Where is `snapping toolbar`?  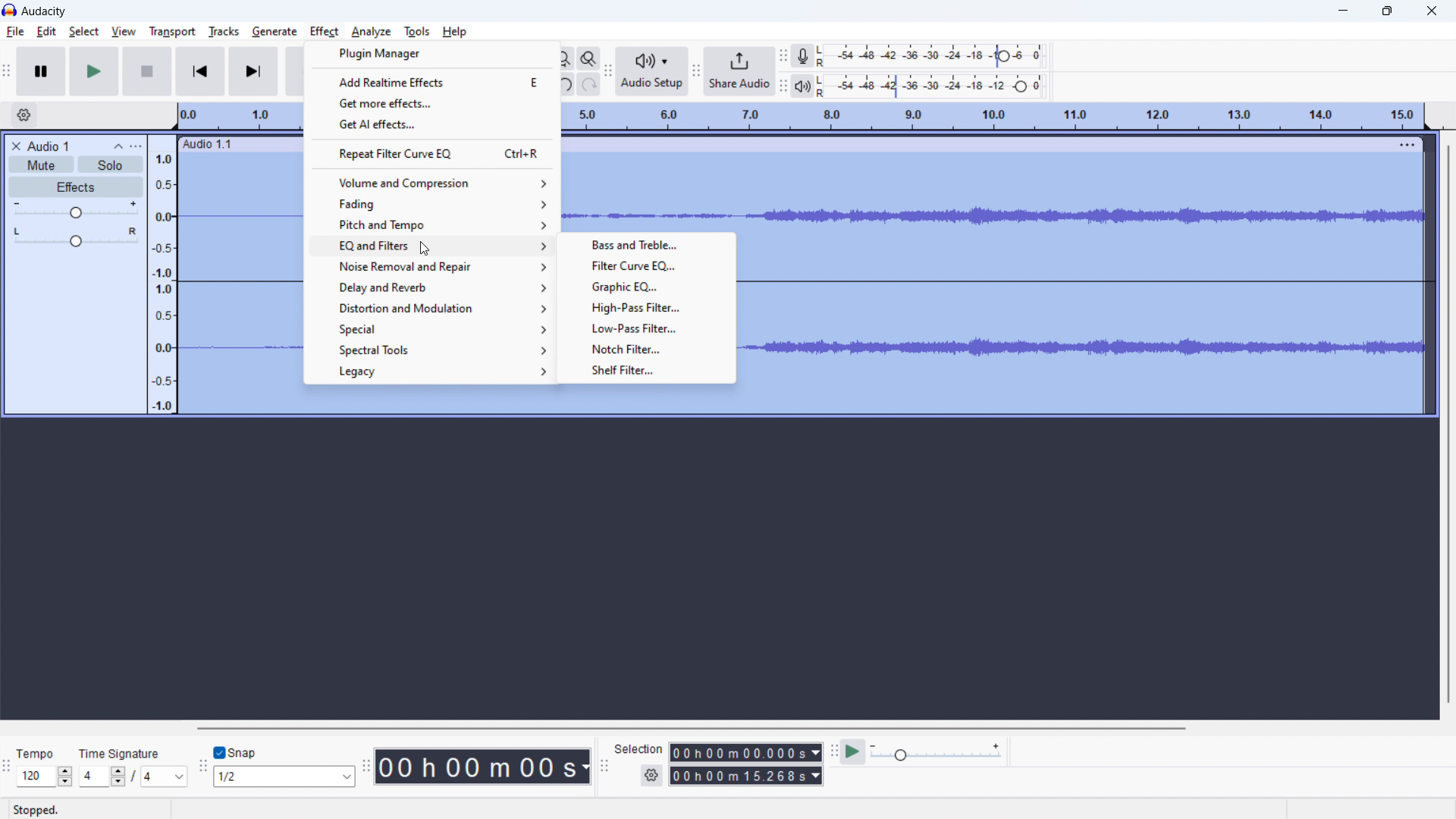
snapping toolbar is located at coordinates (202, 765).